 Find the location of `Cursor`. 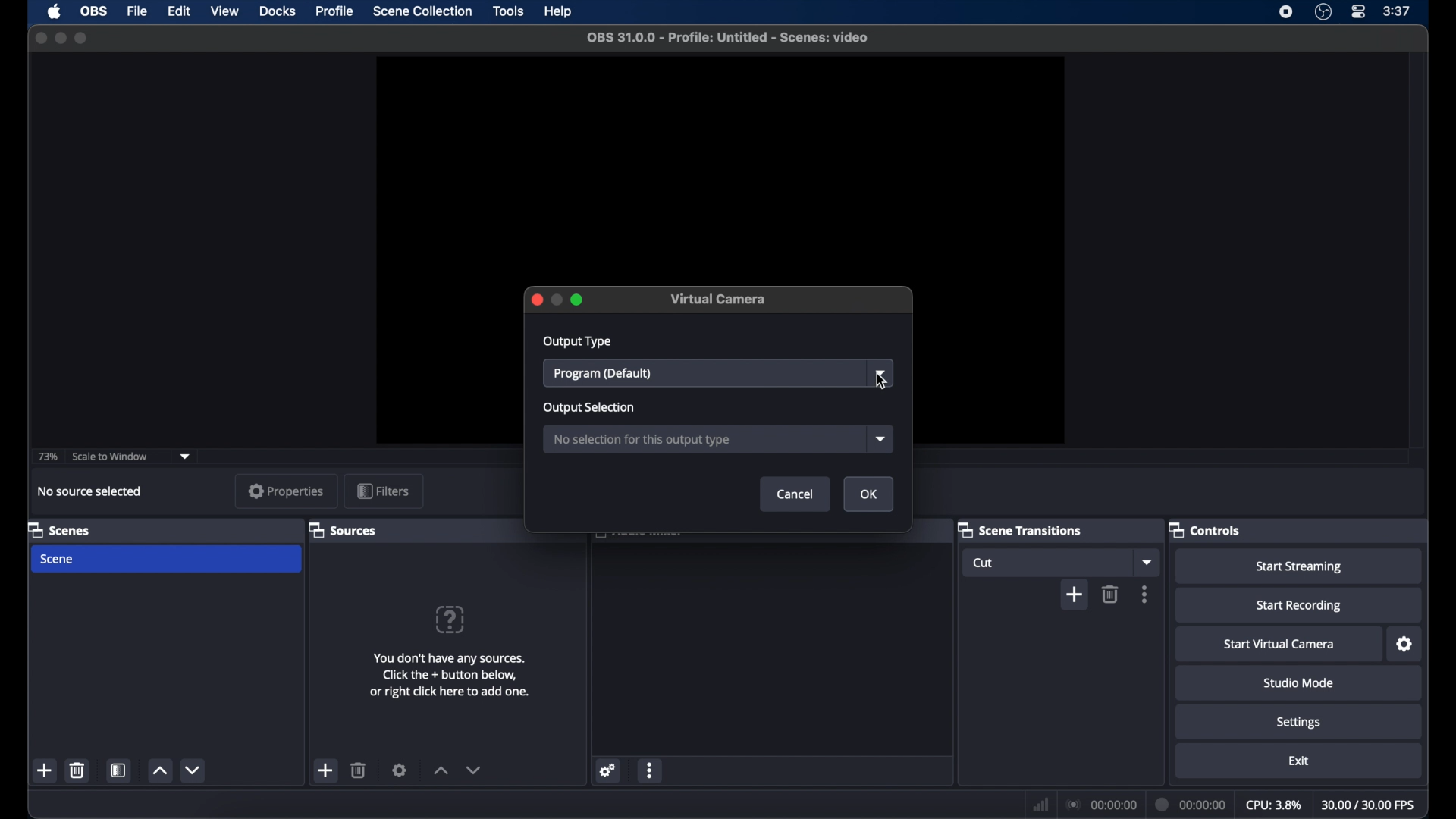

Cursor is located at coordinates (882, 383).